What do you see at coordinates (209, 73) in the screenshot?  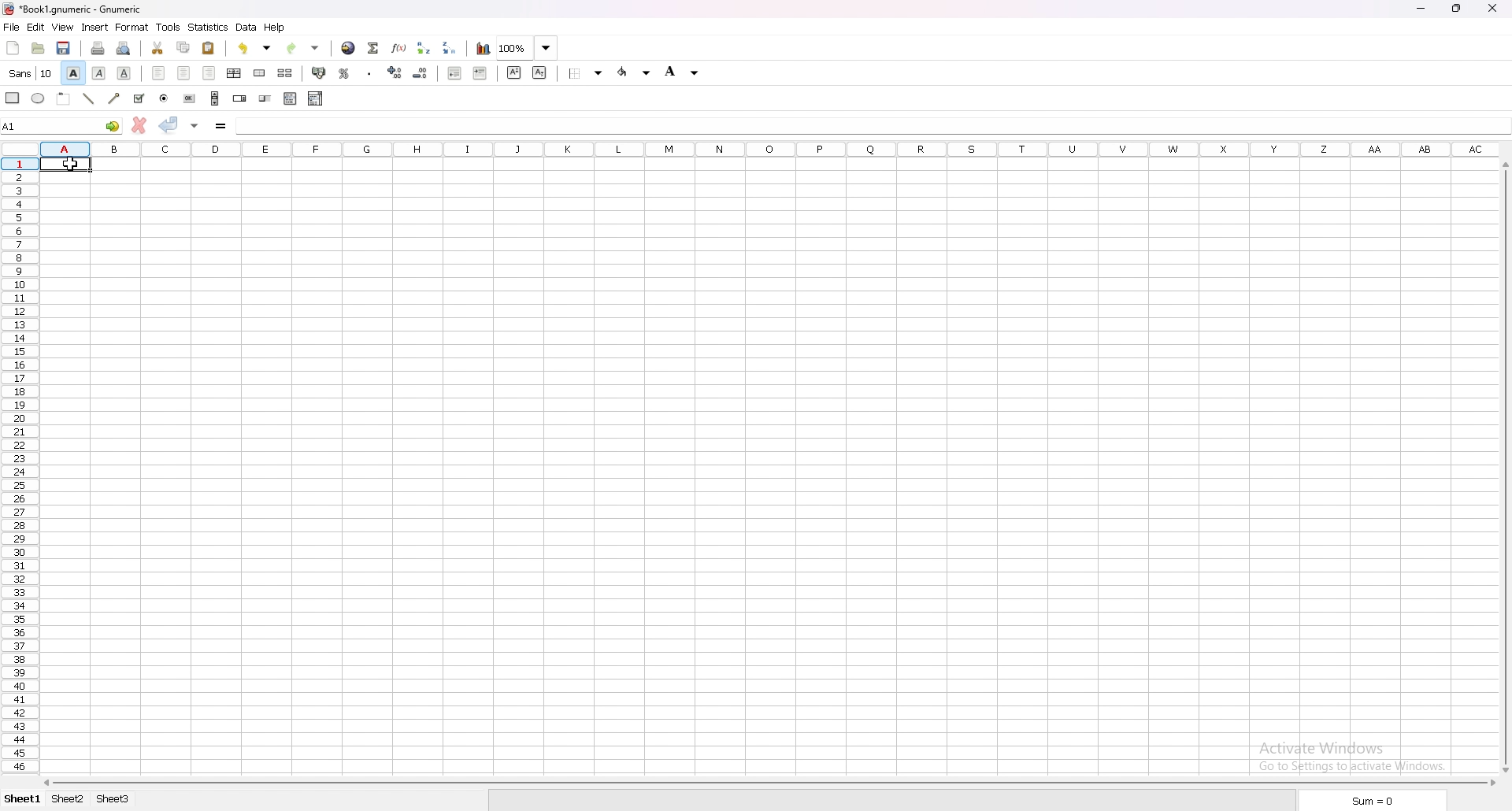 I see `right align` at bounding box center [209, 73].